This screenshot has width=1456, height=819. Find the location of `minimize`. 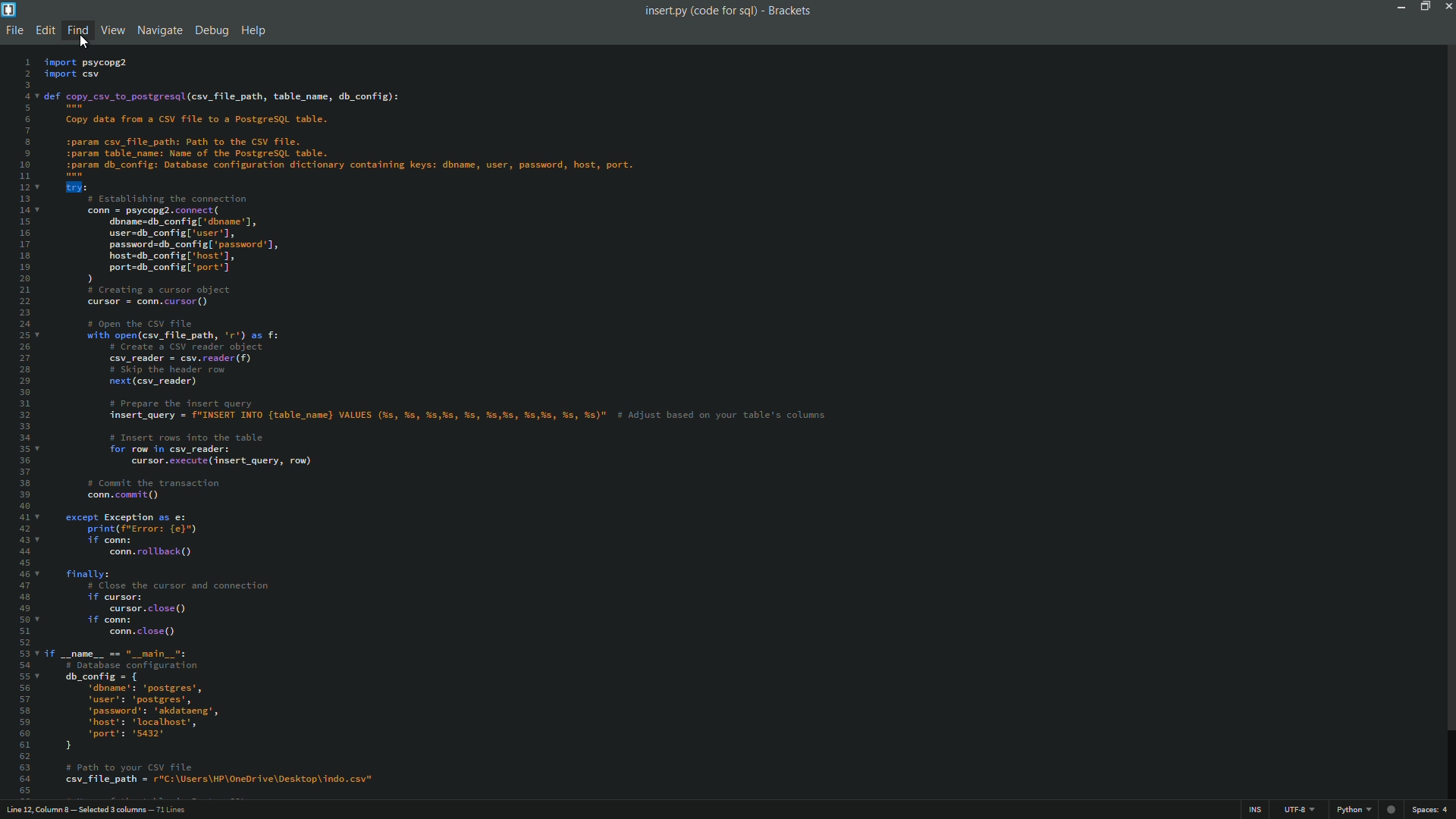

minimize is located at coordinates (1396, 6).